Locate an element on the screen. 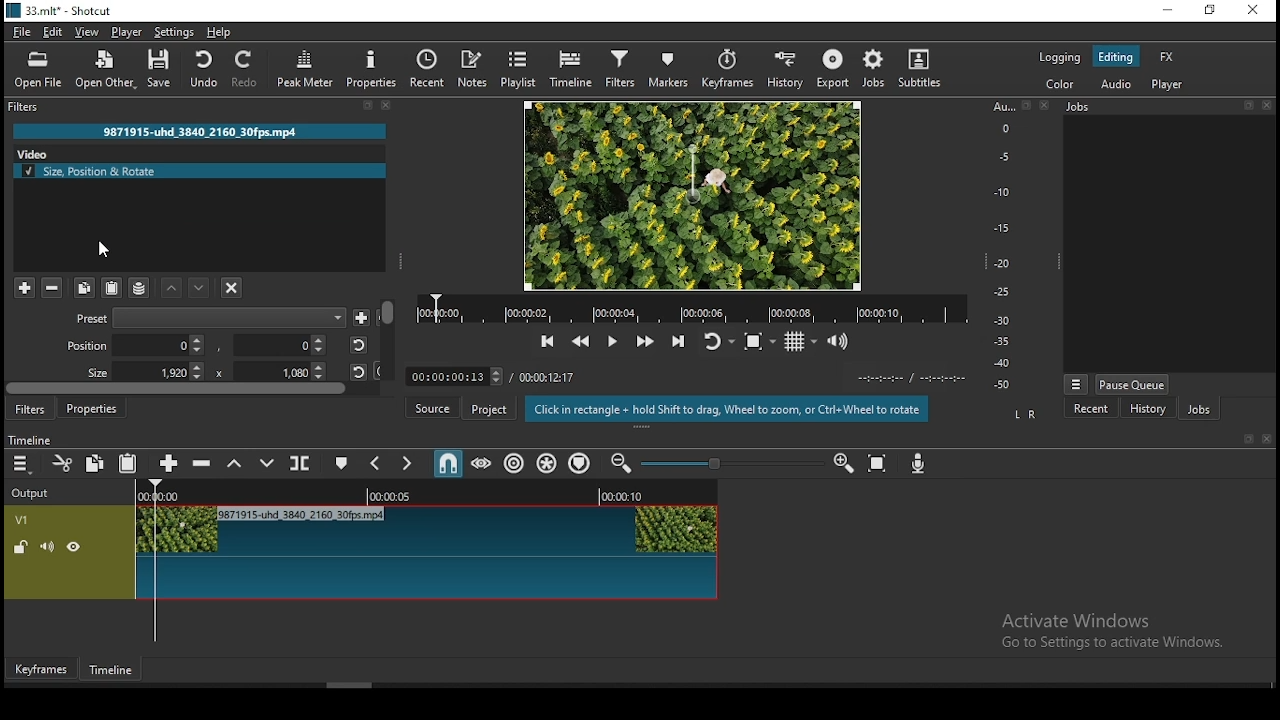  zoom timeline to fit is located at coordinates (879, 465).